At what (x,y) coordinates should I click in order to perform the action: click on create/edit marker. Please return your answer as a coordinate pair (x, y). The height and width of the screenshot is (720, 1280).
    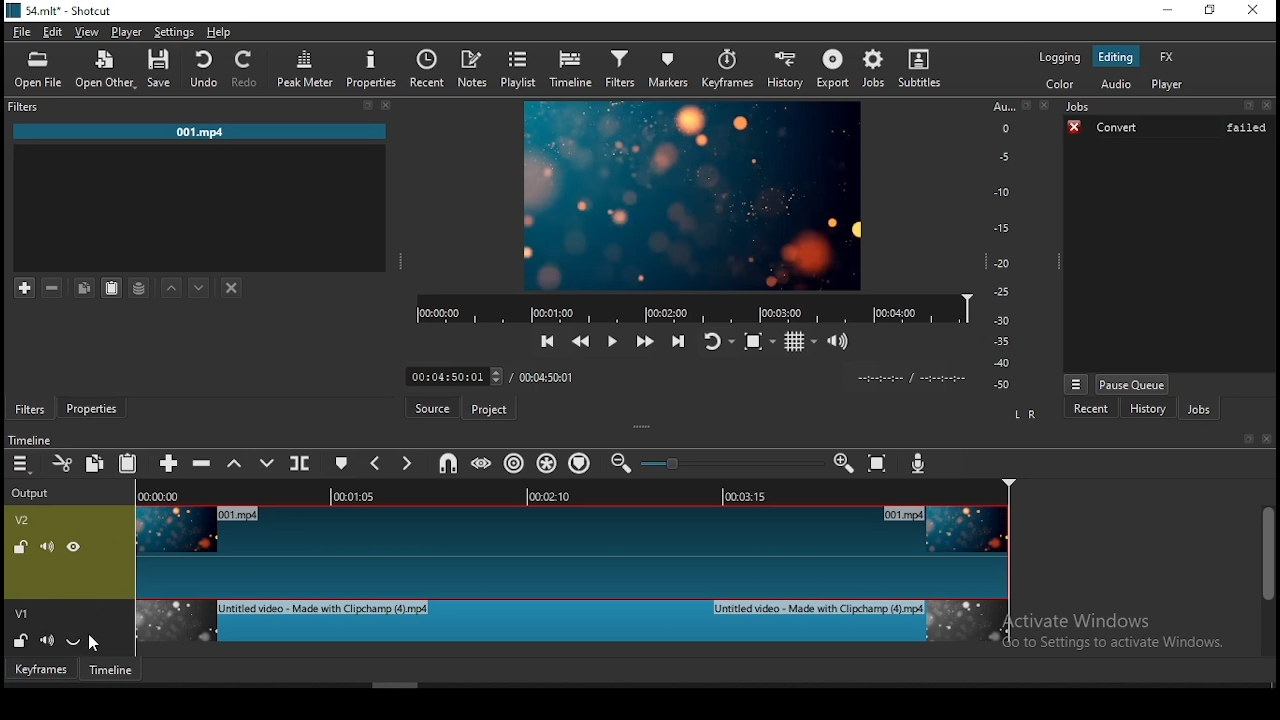
    Looking at the image, I should click on (341, 463).